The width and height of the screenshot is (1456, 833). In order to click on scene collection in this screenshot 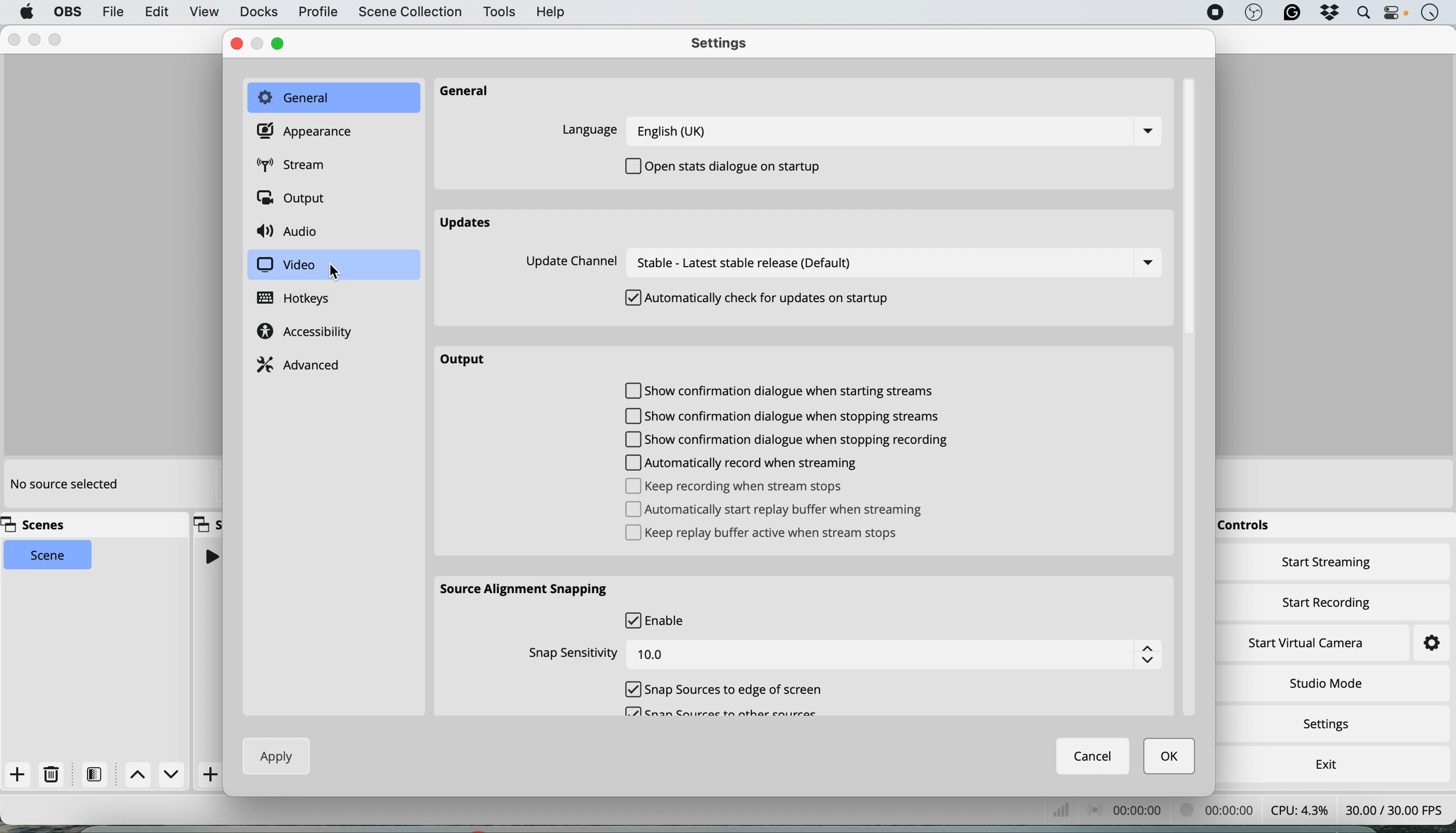, I will do `click(409, 13)`.